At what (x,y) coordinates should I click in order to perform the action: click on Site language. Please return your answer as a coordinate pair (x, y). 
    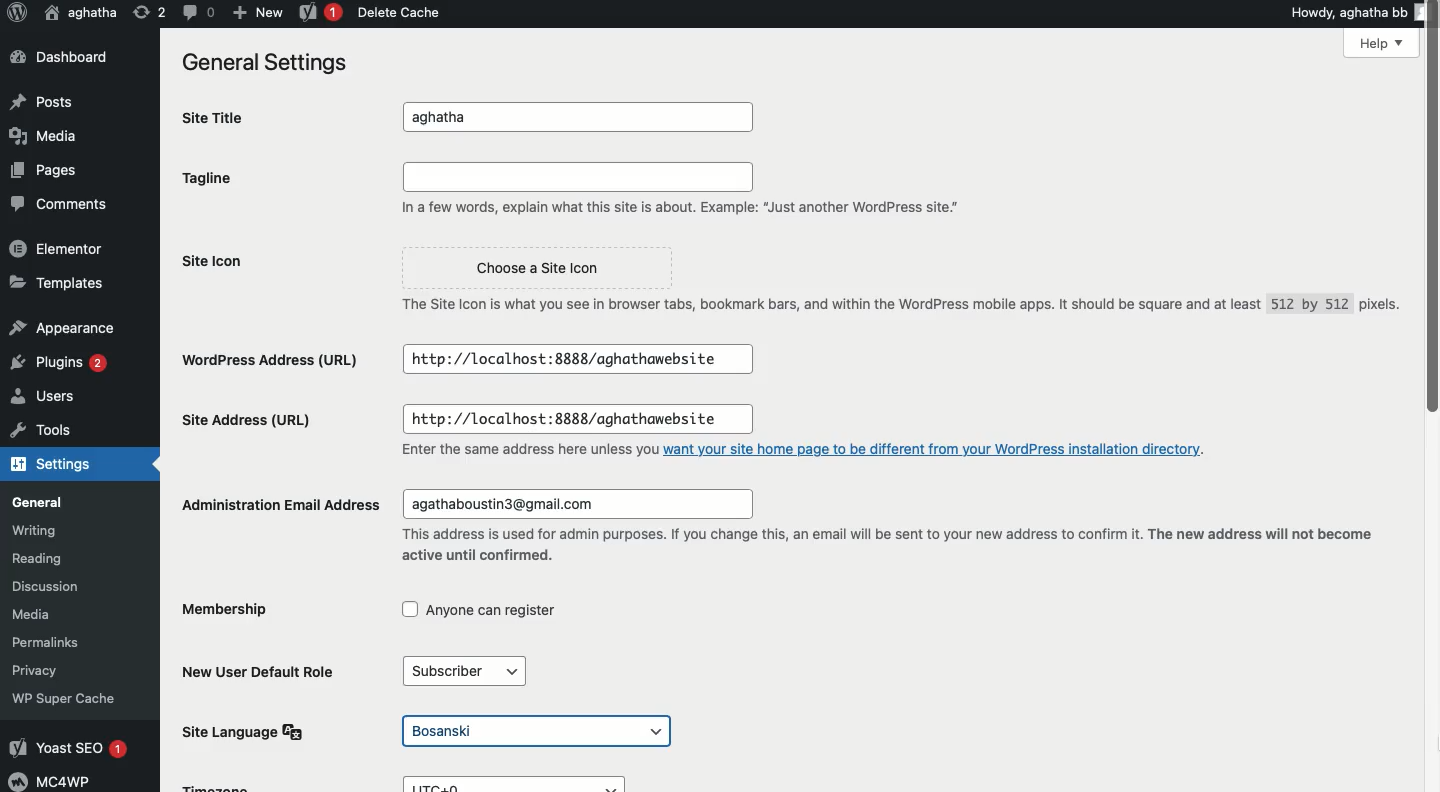
    Looking at the image, I should click on (249, 731).